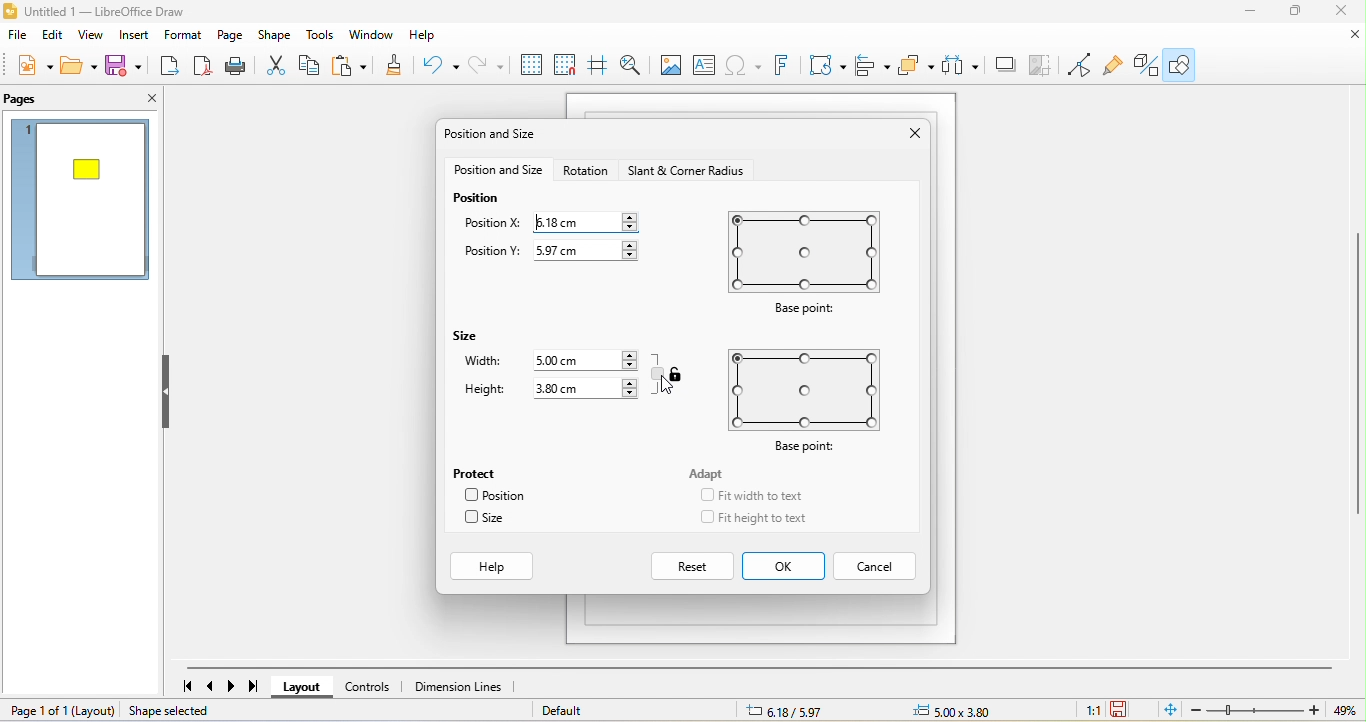  Describe the element at coordinates (815, 262) in the screenshot. I see `base point` at that location.